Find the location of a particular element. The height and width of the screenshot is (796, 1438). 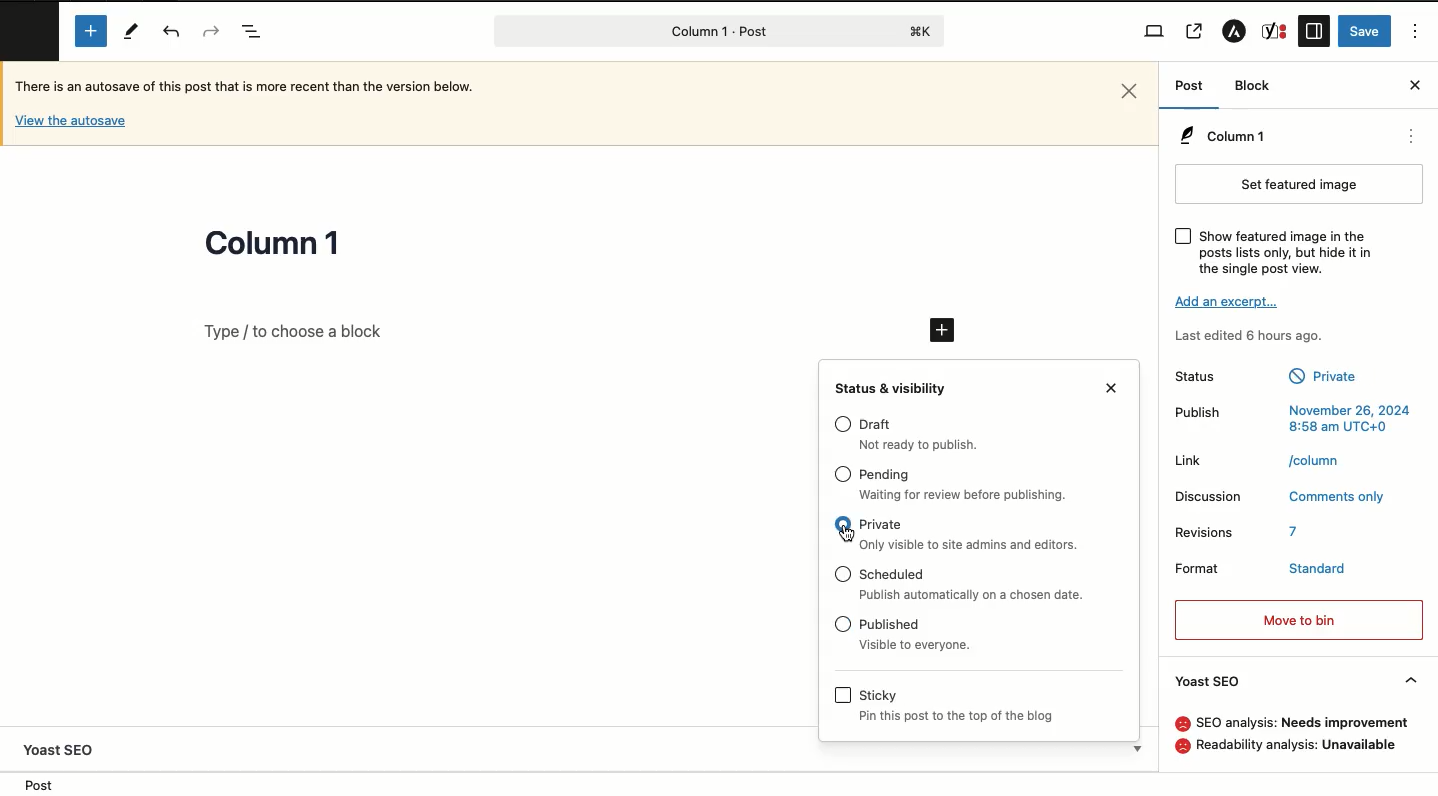

Checkbox is located at coordinates (844, 765).